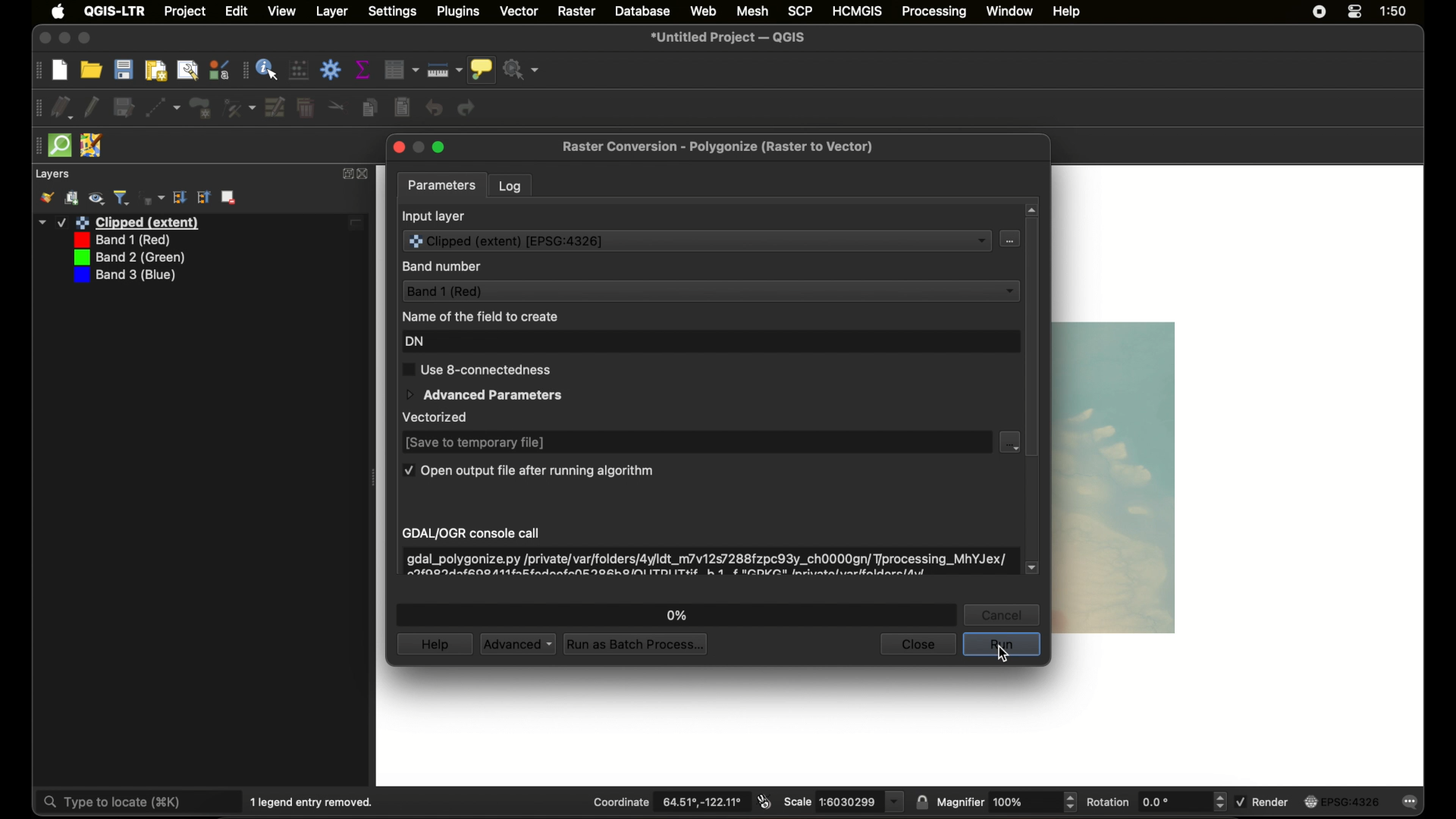 The image size is (1456, 819). What do you see at coordinates (459, 11) in the screenshot?
I see `plugins` at bounding box center [459, 11].